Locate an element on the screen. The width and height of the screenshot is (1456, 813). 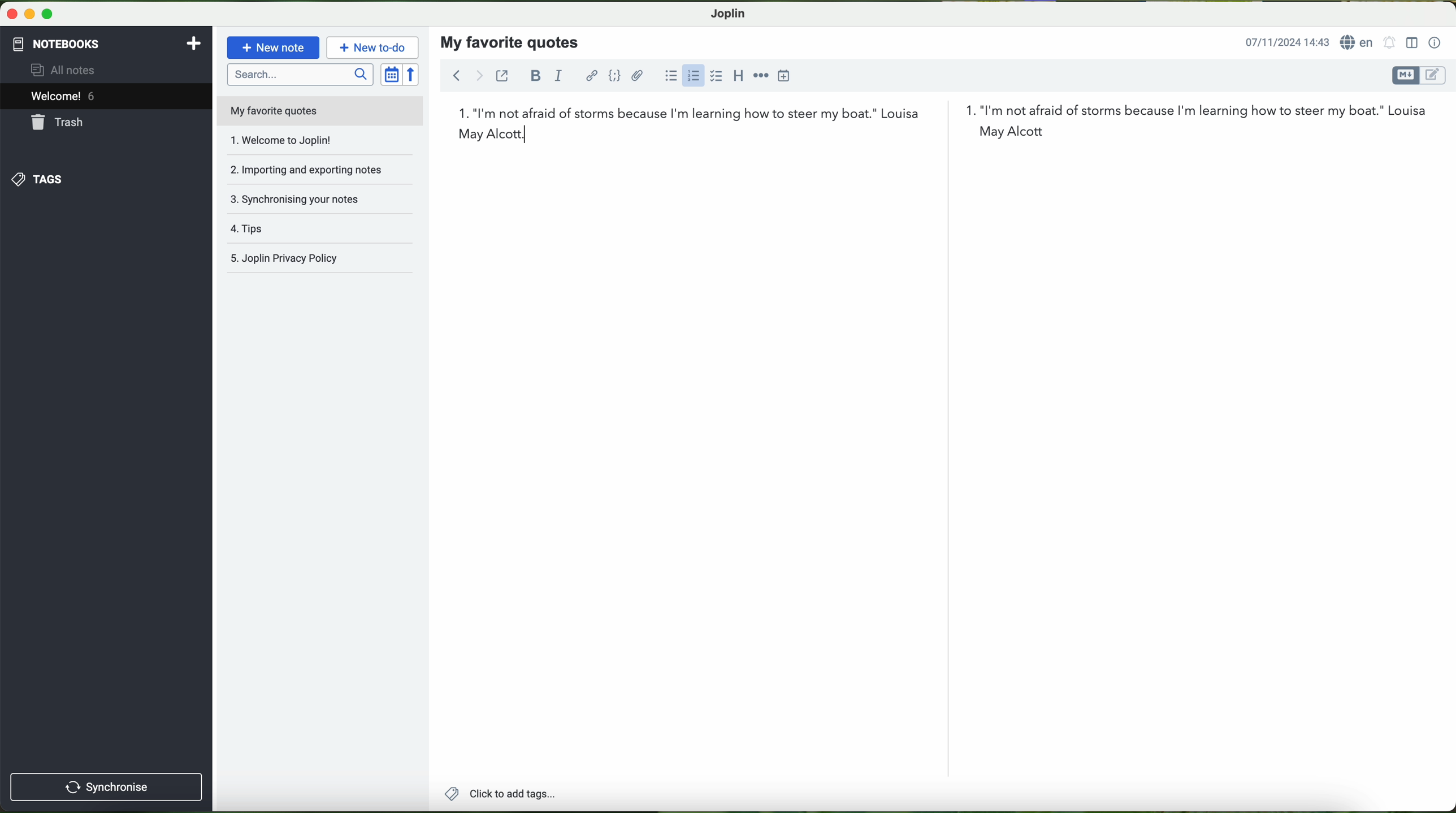
tags is located at coordinates (318, 228).